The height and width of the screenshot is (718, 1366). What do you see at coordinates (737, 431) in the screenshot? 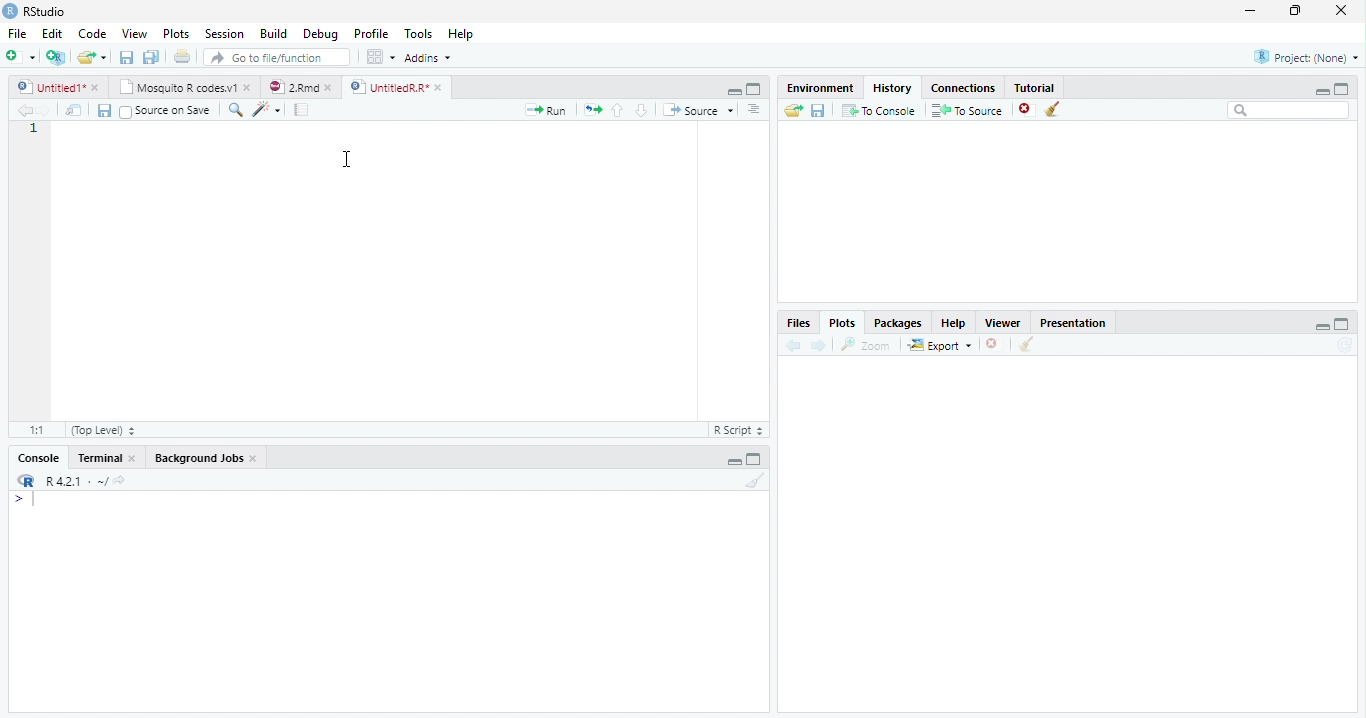
I see `R Script` at bounding box center [737, 431].